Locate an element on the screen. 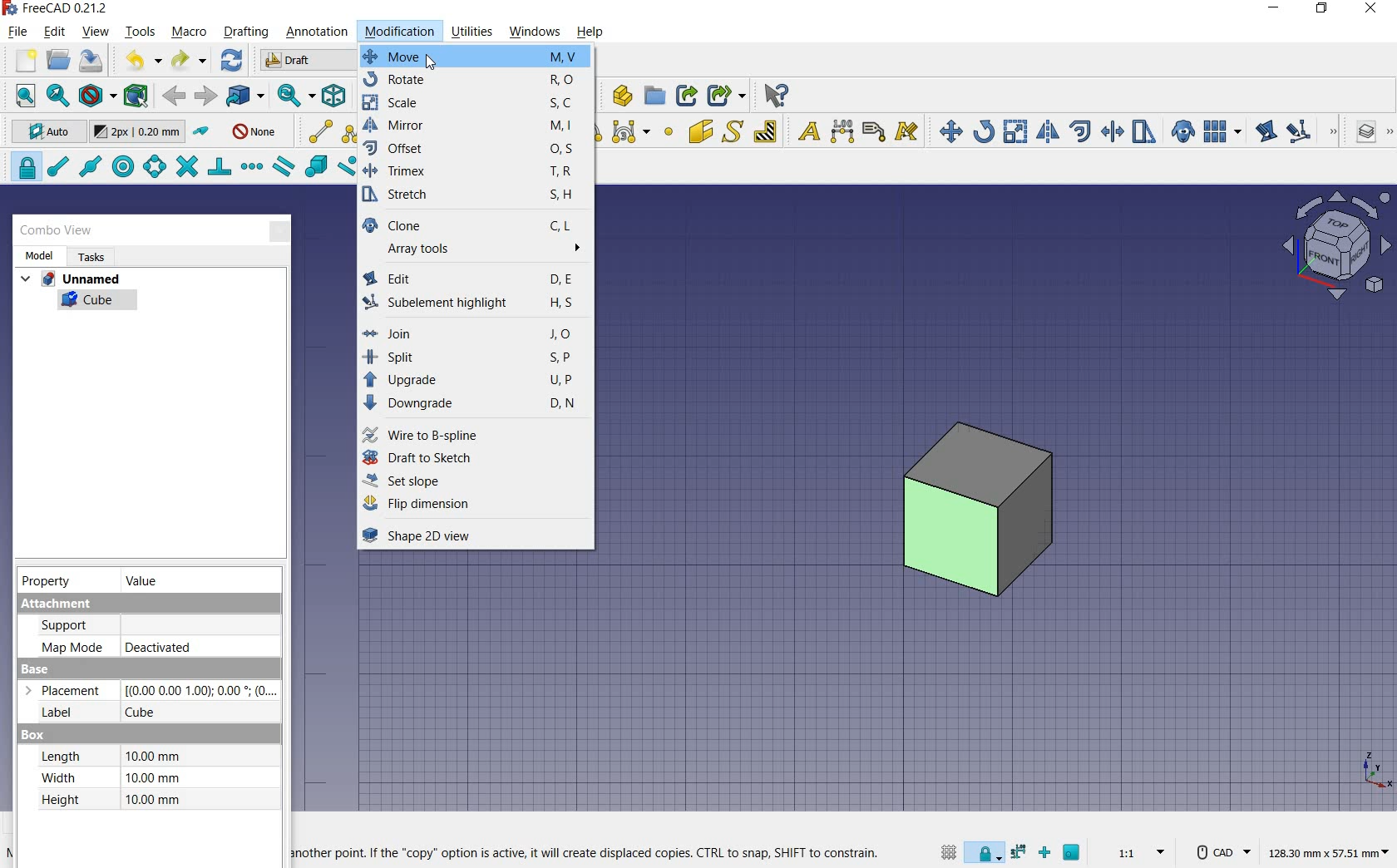 Image resolution: width=1397 pixels, height=868 pixels. close is located at coordinates (1369, 10).